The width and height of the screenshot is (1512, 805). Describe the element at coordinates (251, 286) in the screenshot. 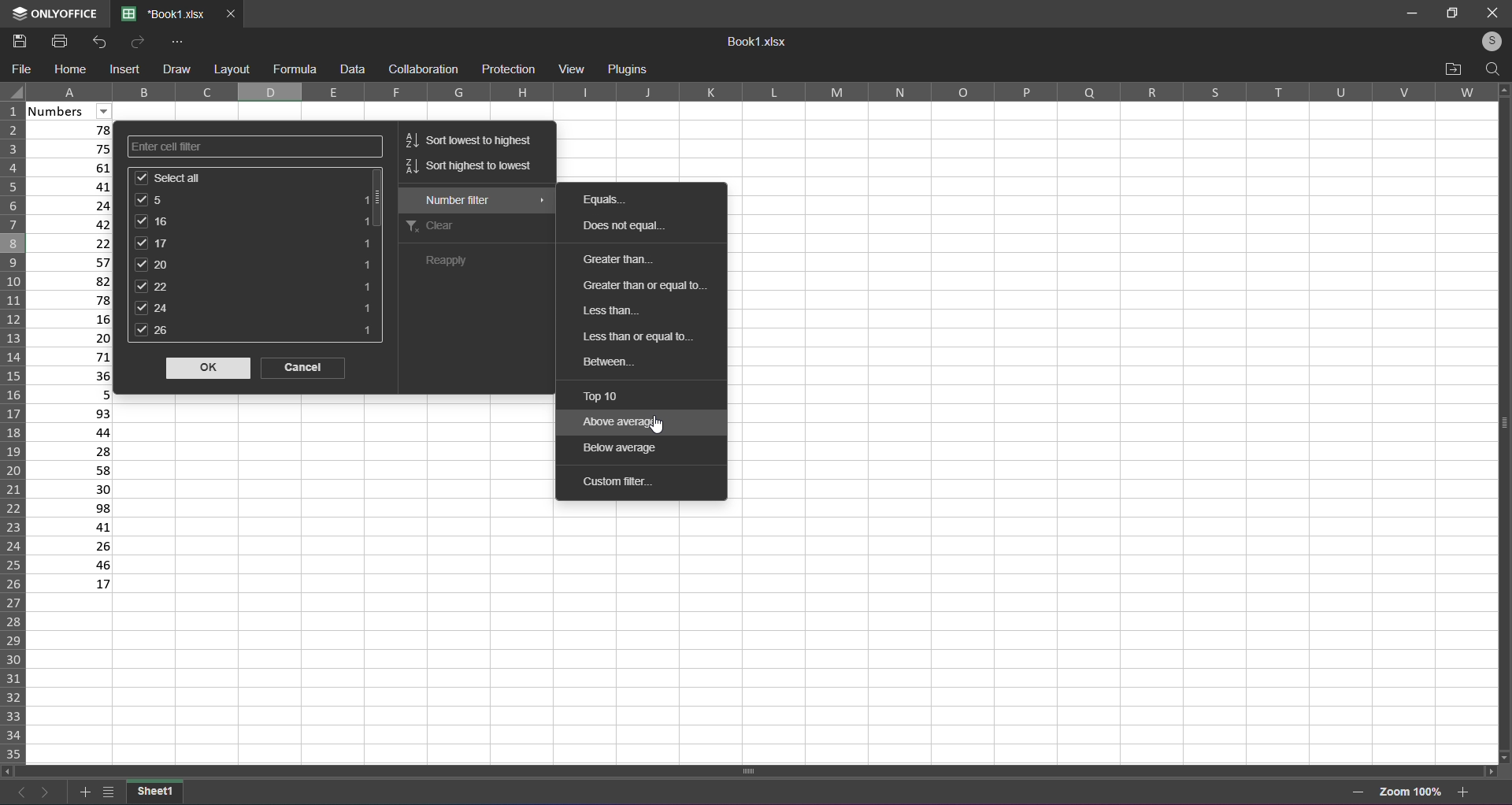

I see `22` at that location.